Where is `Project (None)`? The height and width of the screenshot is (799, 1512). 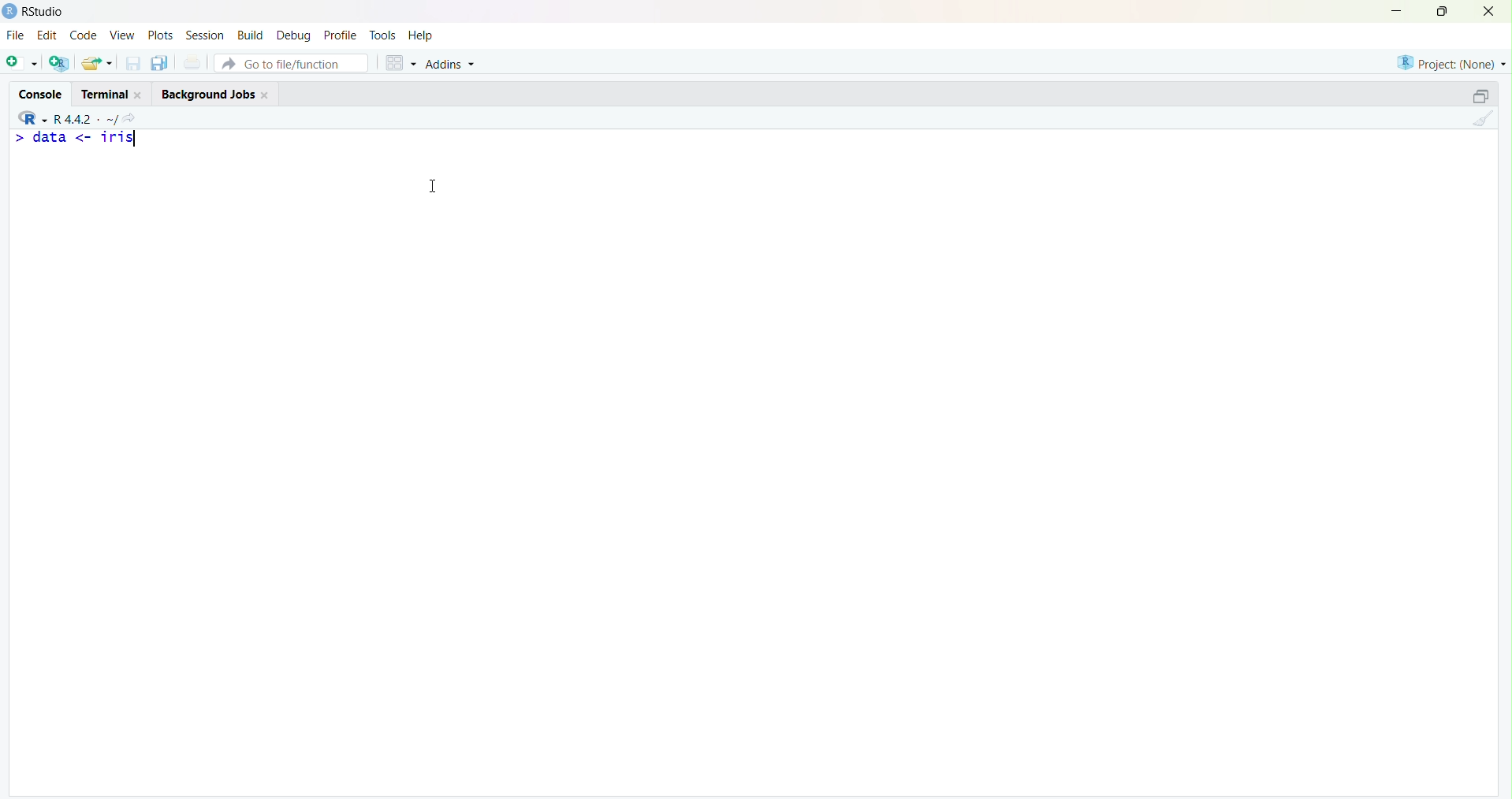 Project (None) is located at coordinates (1450, 62).